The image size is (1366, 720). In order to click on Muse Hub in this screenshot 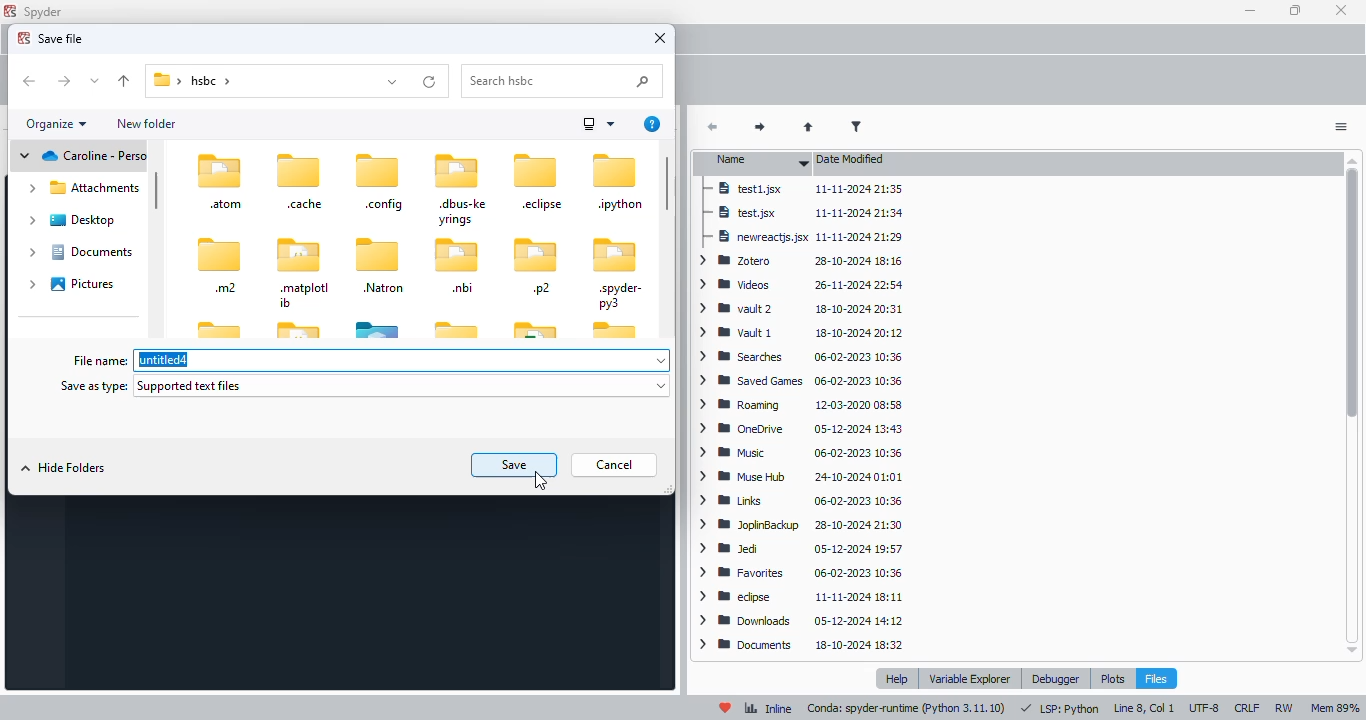, I will do `click(752, 476)`.